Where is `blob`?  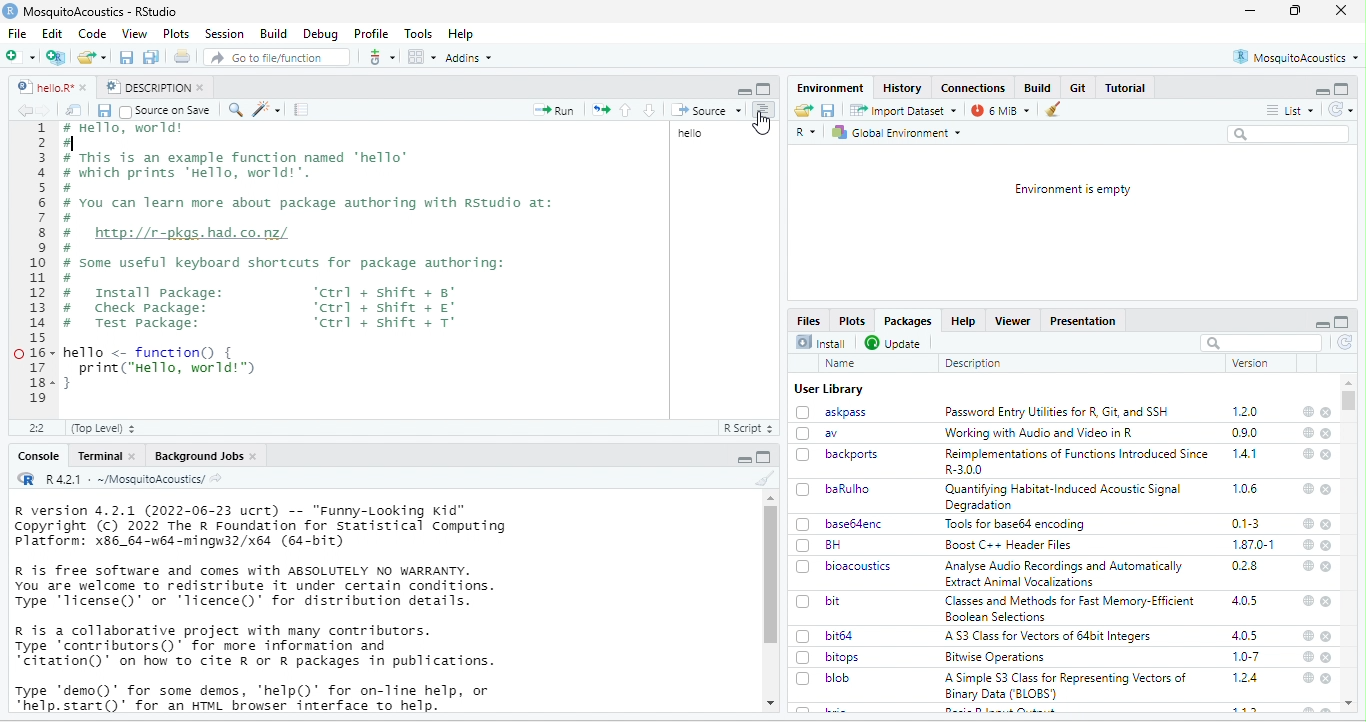 blob is located at coordinates (827, 678).